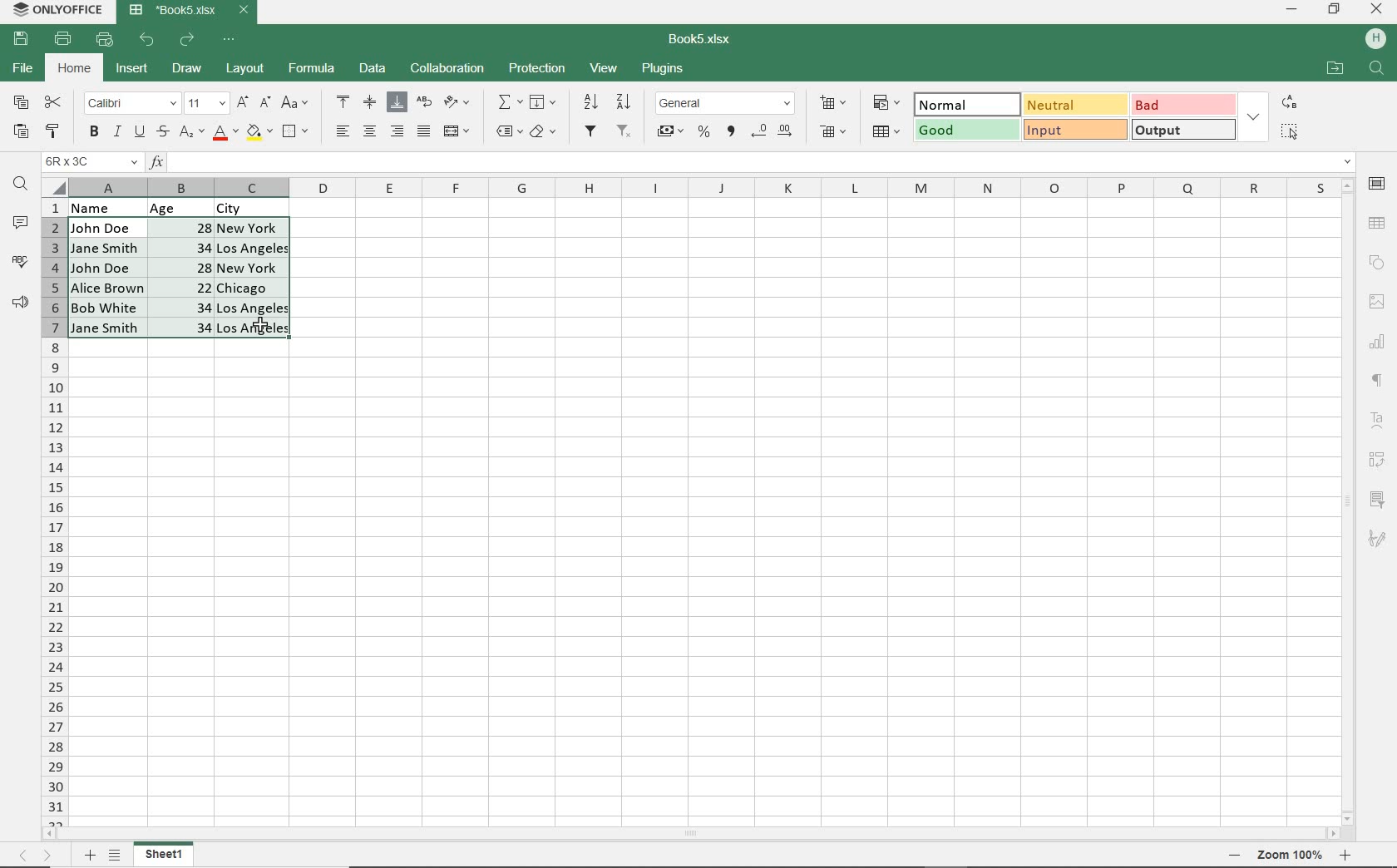 Image resolution: width=1397 pixels, height=868 pixels. I want to click on BOLD, so click(93, 133).